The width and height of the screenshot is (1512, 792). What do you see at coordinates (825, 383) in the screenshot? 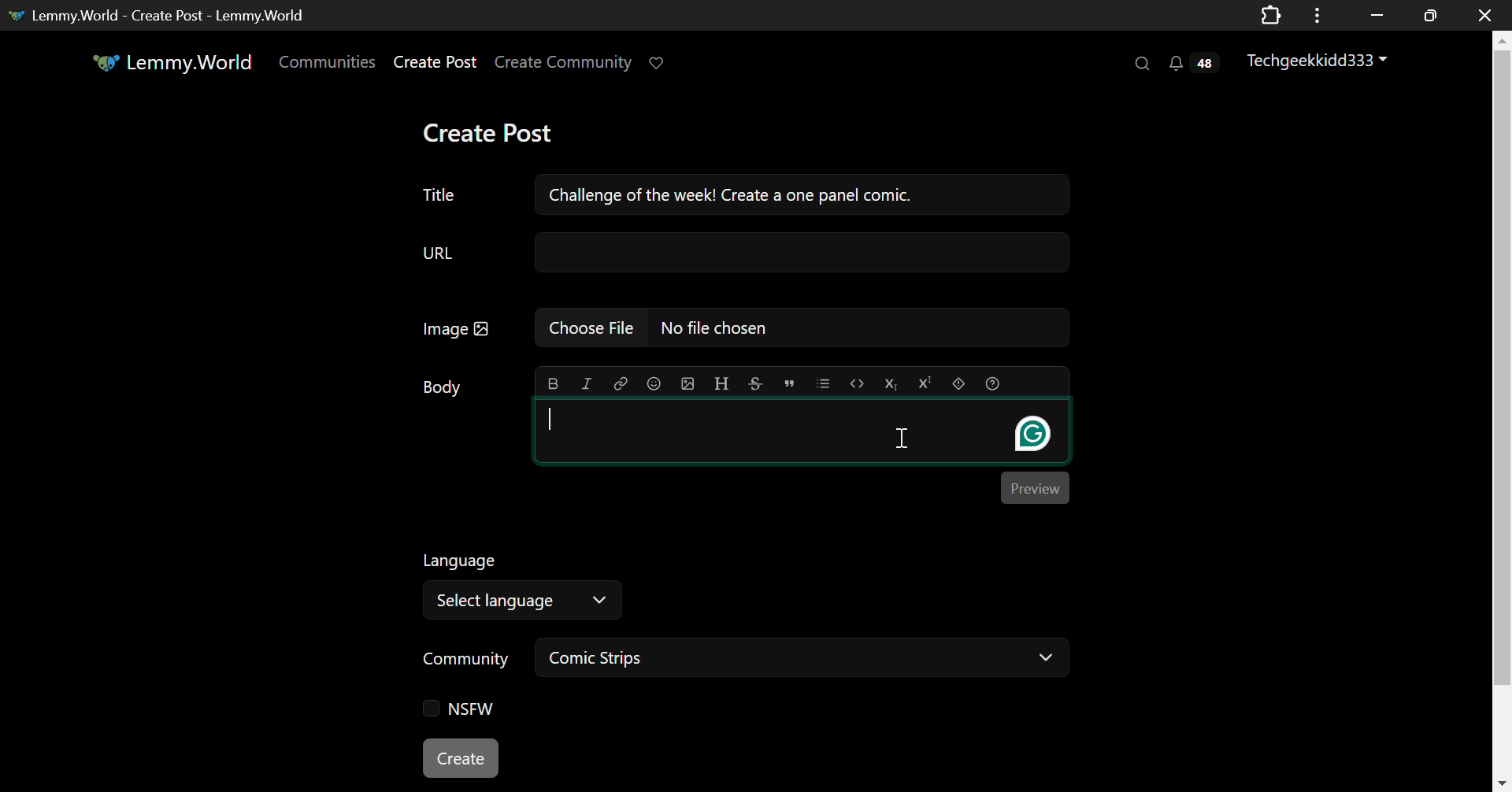
I see `list` at bounding box center [825, 383].